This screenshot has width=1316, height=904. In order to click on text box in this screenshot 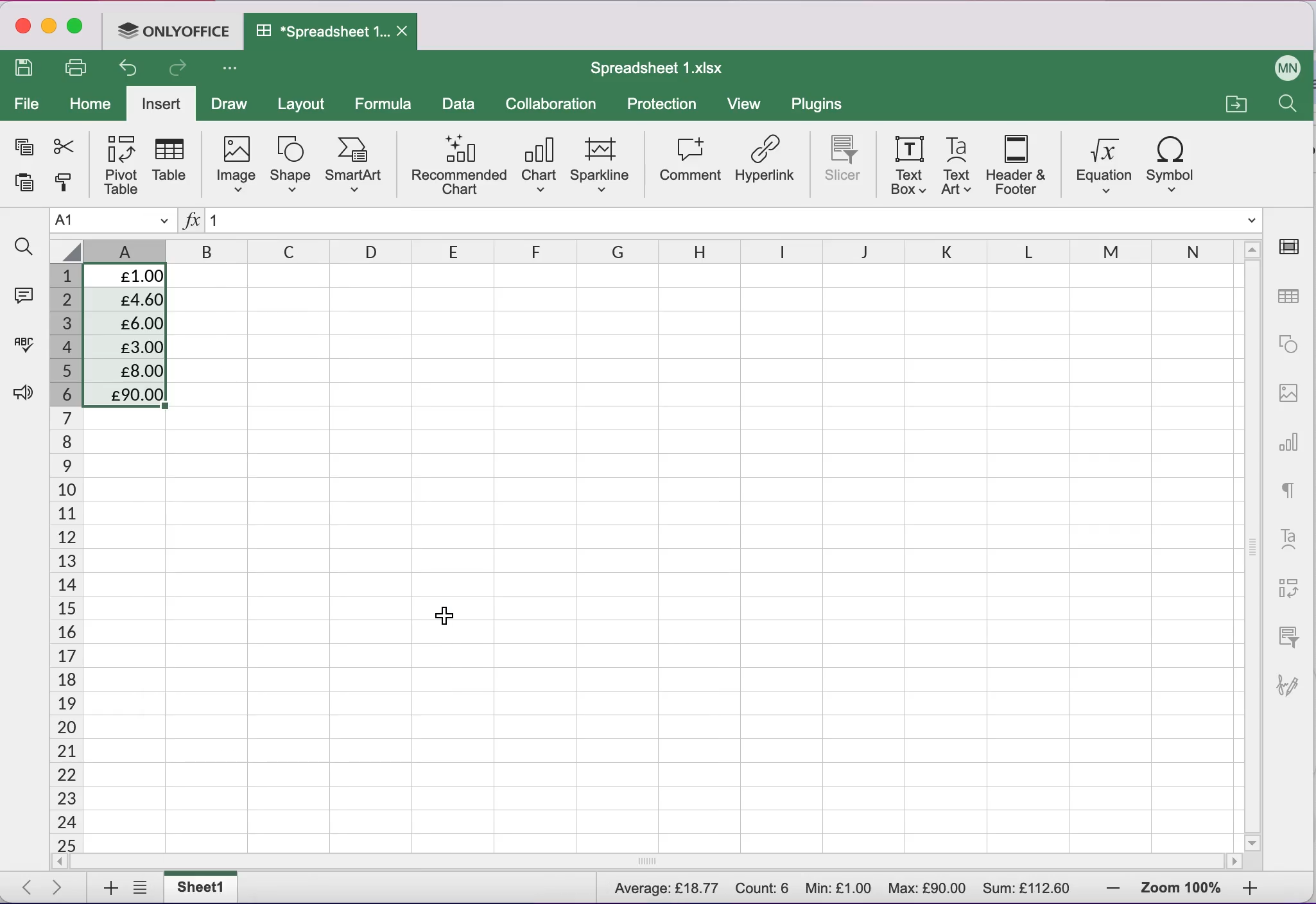, I will do `click(906, 164)`.